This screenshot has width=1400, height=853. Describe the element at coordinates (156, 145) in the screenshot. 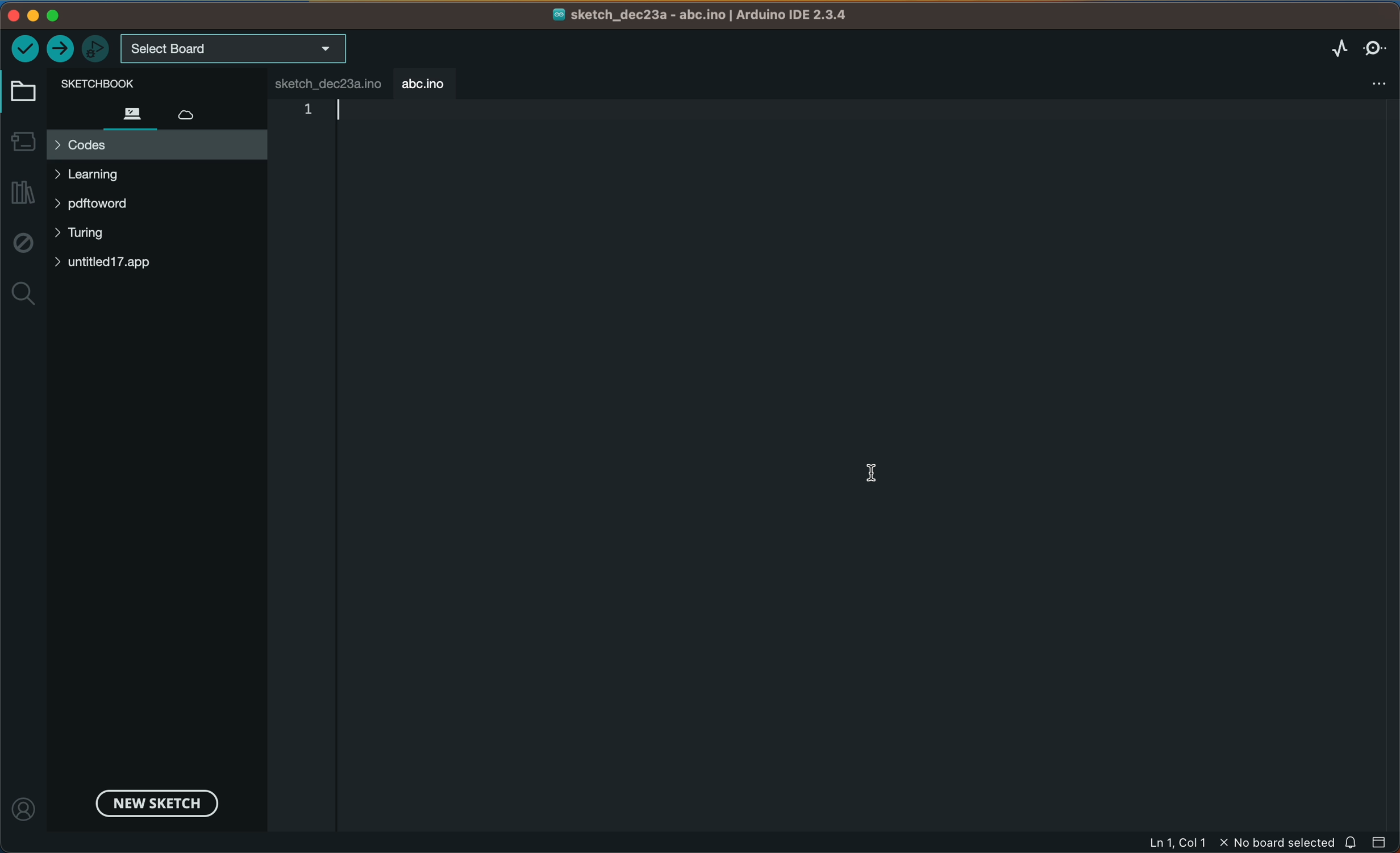

I see `codes` at that location.